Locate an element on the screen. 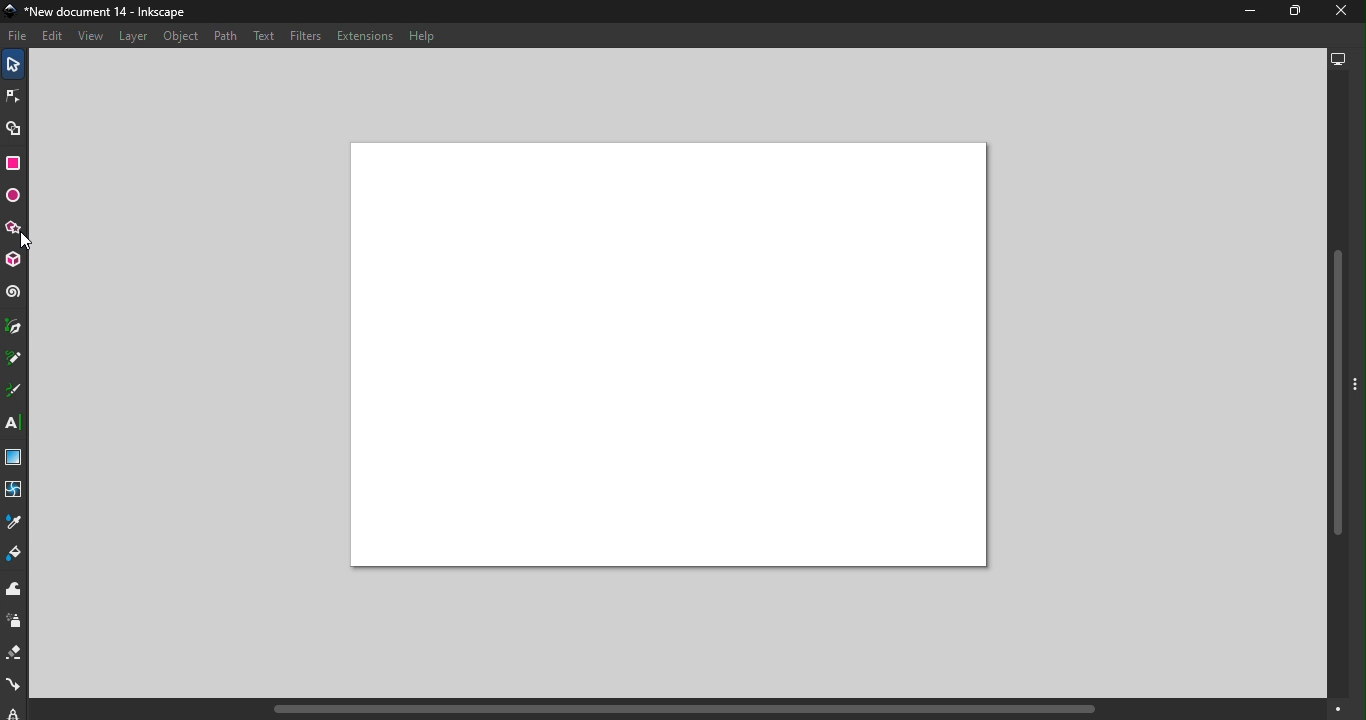 The width and height of the screenshot is (1366, 720). Object is located at coordinates (181, 35).